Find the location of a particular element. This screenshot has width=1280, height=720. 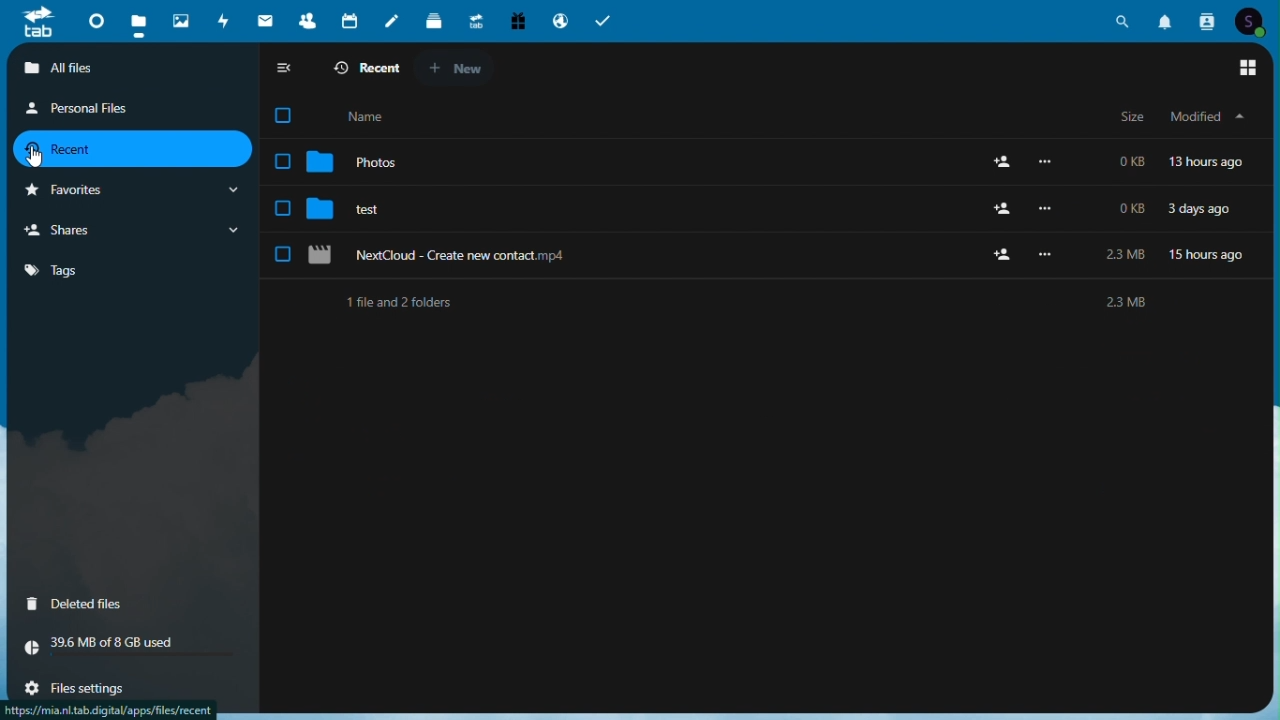

photos is located at coordinates (357, 163).